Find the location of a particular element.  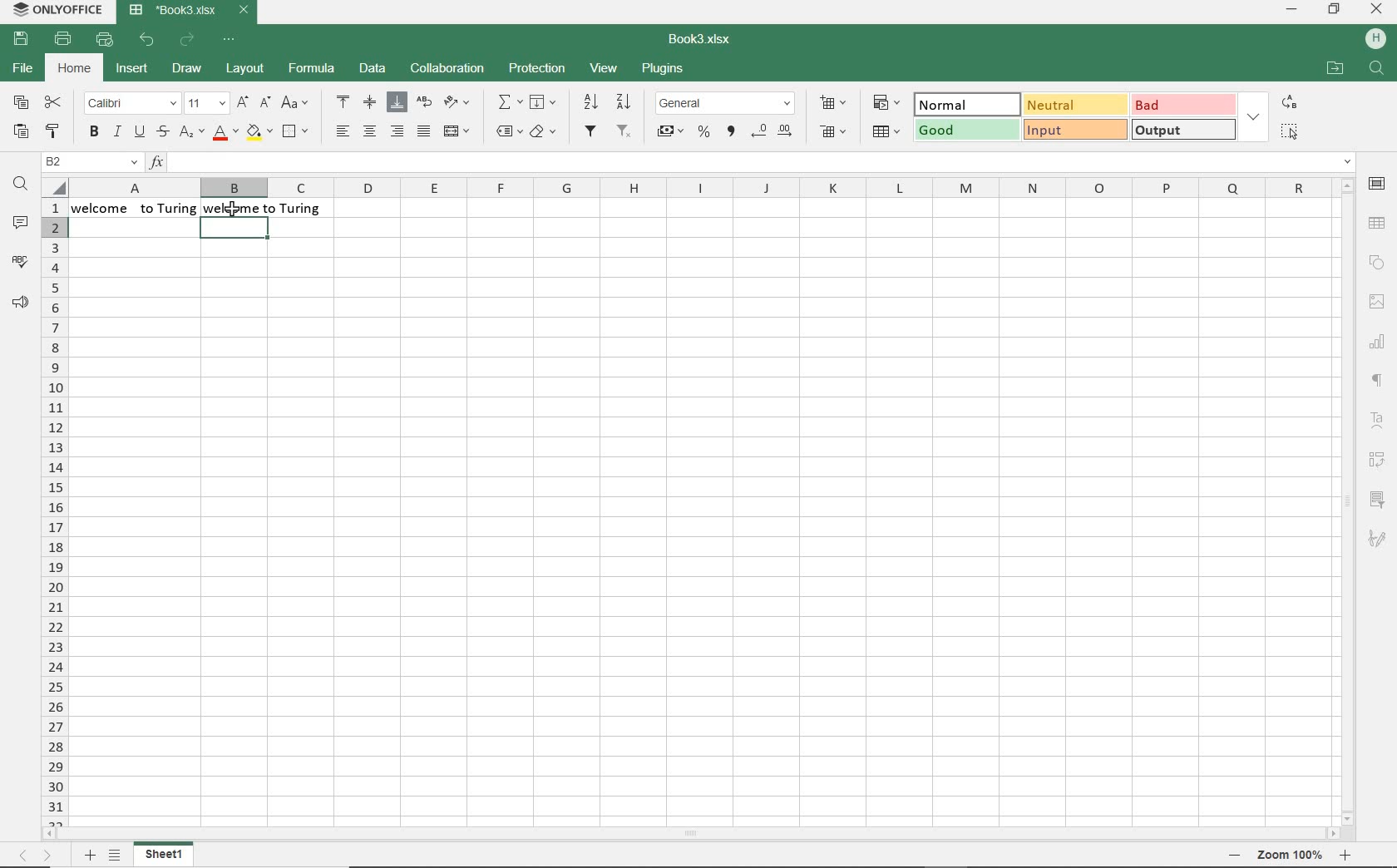

slicer is located at coordinates (1378, 498).